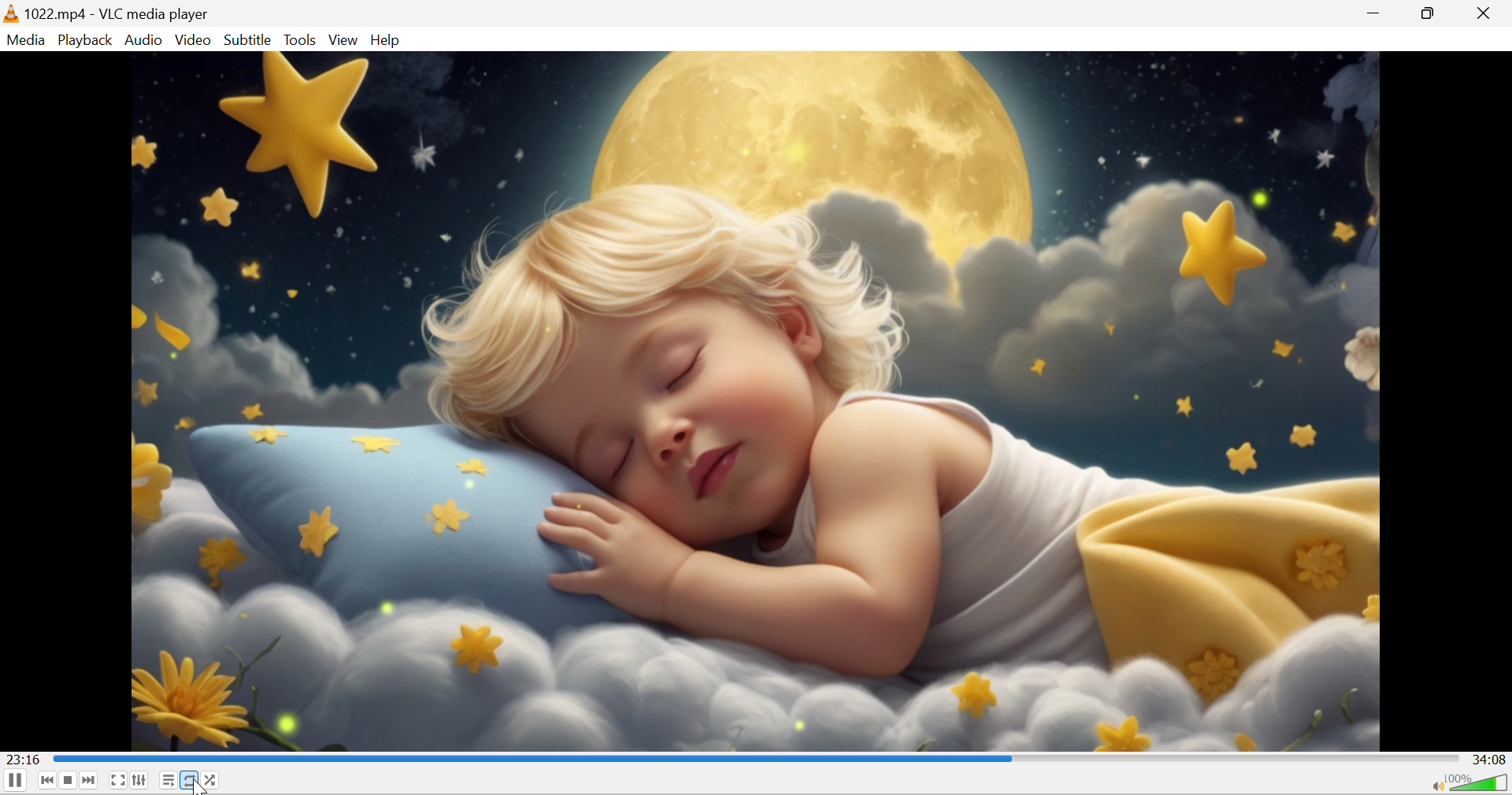 The height and width of the screenshot is (795, 1512). What do you see at coordinates (1484, 13) in the screenshot?
I see `Close` at bounding box center [1484, 13].